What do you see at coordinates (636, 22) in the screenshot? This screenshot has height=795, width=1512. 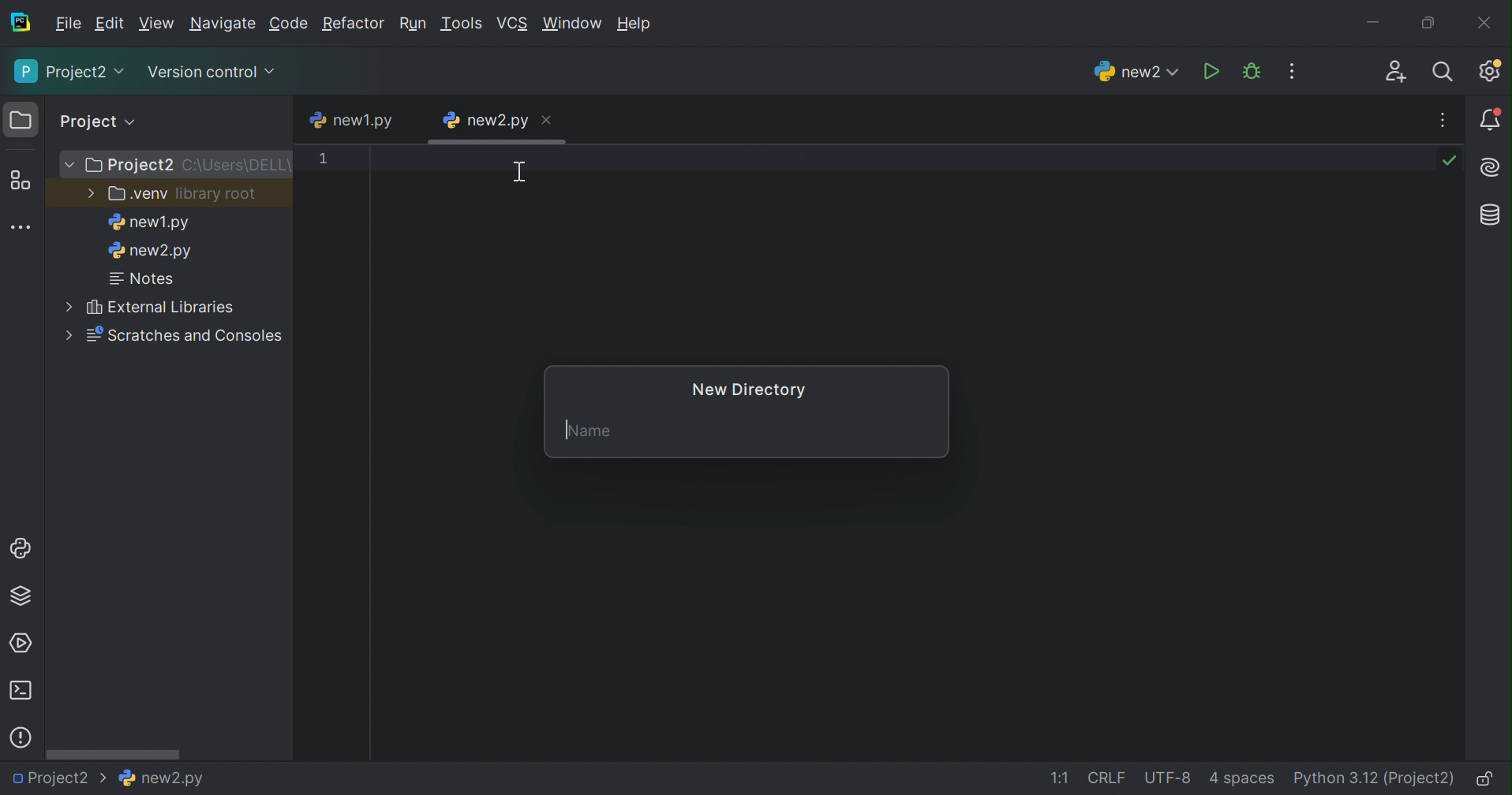 I see `Help` at bounding box center [636, 22].